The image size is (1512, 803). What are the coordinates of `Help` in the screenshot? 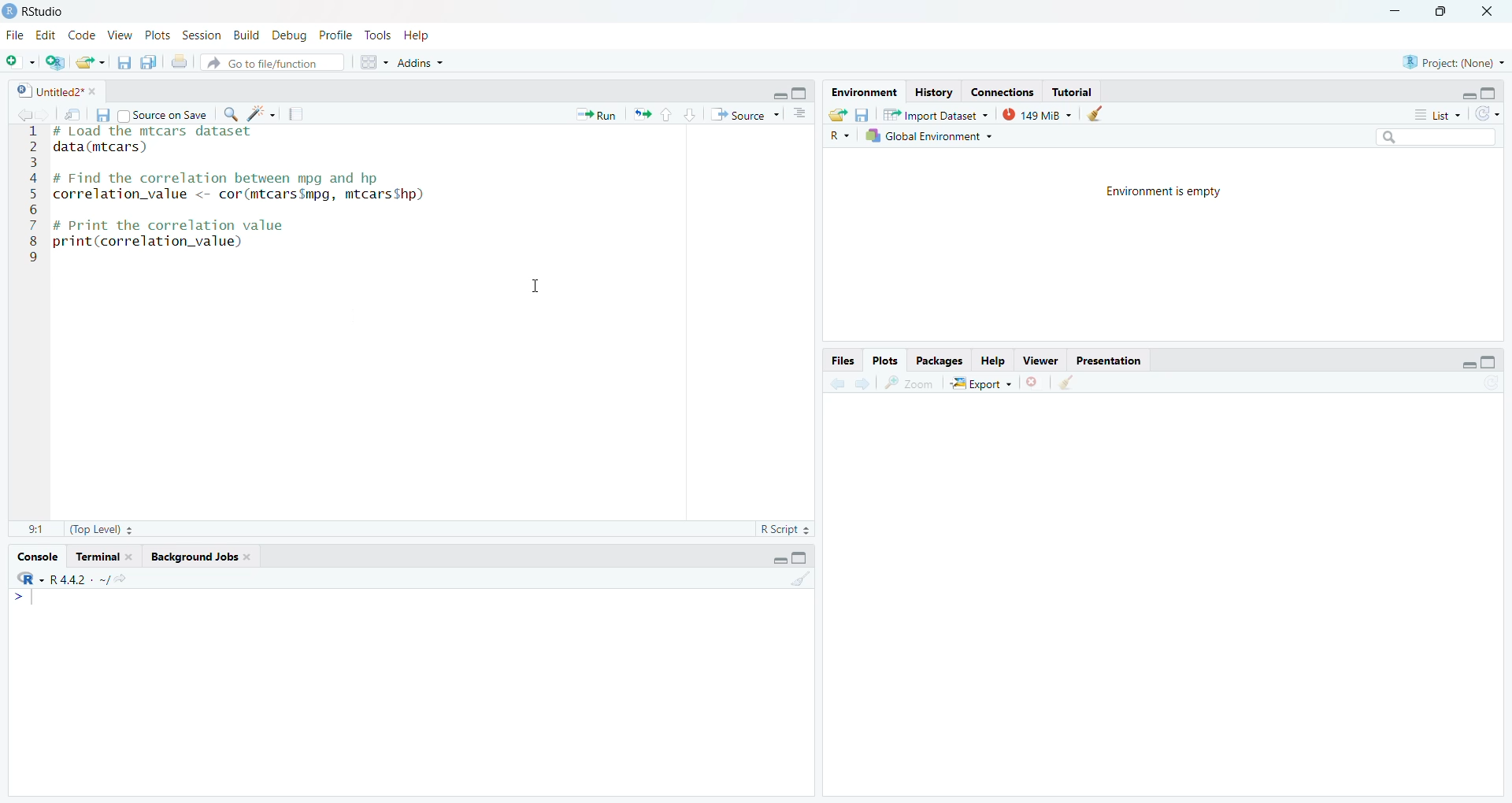 It's located at (994, 358).